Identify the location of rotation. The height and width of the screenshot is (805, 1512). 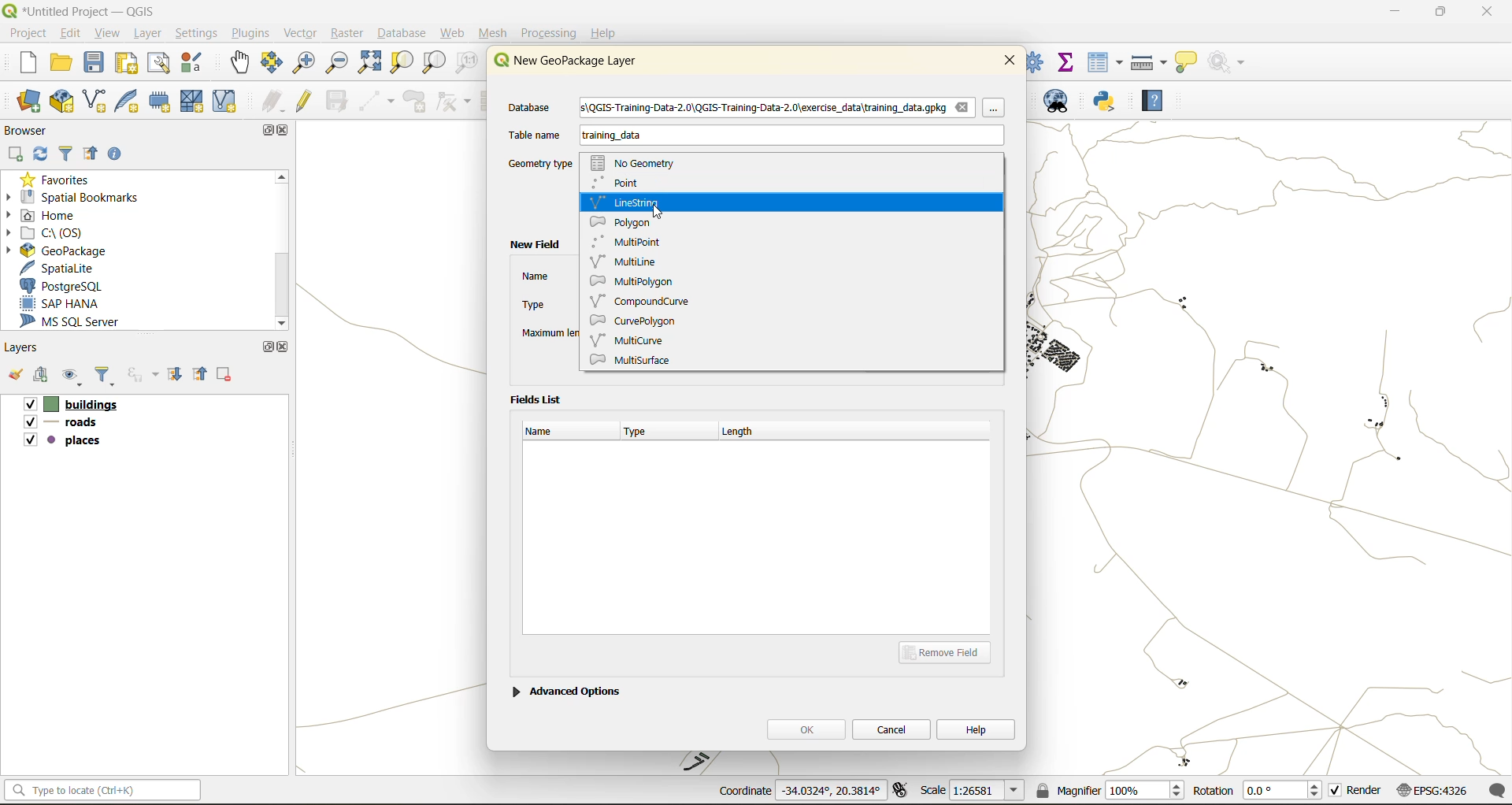
(1258, 792).